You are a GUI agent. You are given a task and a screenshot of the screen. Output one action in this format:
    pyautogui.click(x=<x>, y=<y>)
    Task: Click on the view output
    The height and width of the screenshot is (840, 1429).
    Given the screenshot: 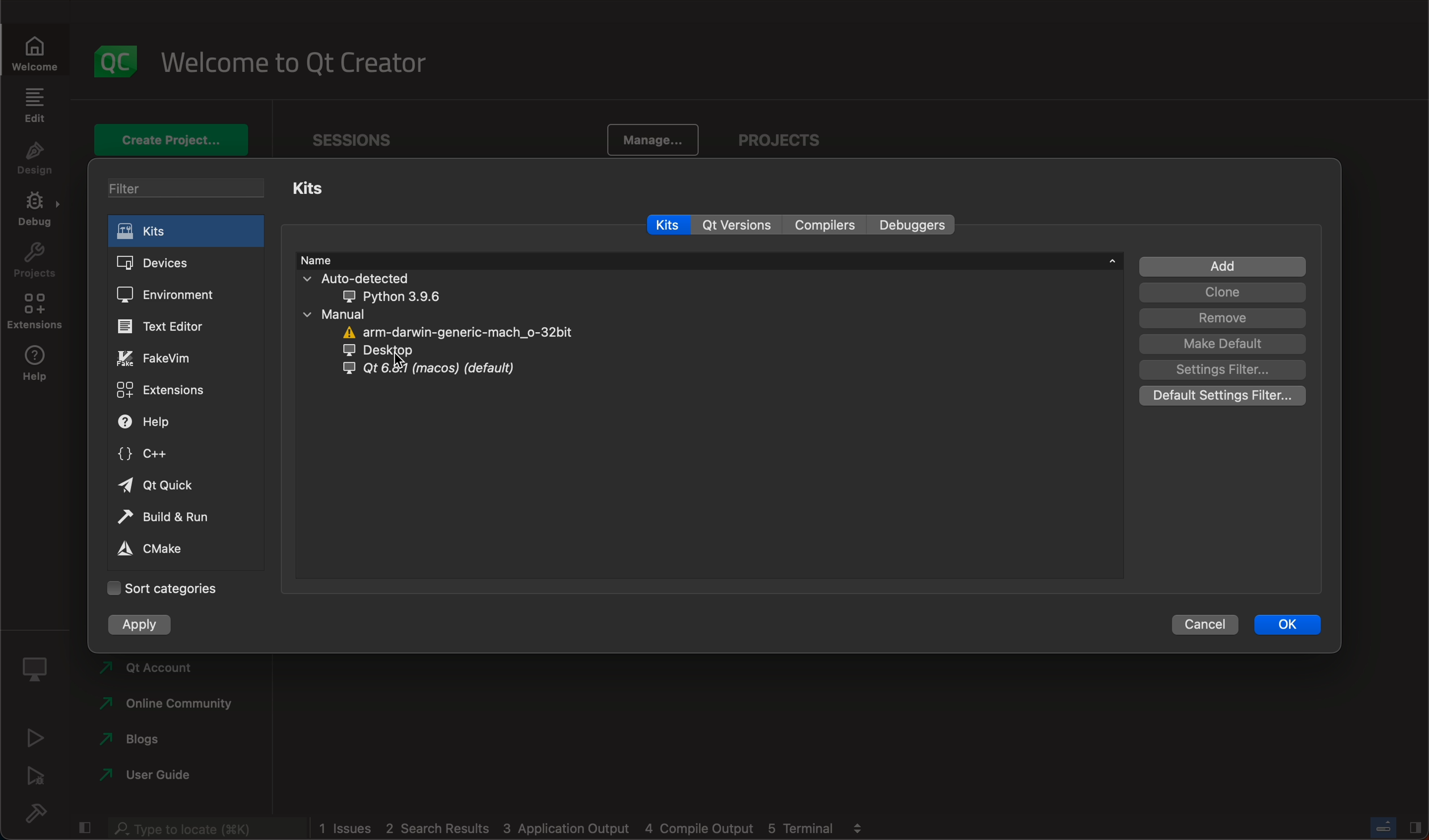 What is the action you would take?
    pyautogui.click(x=859, y=825)
    